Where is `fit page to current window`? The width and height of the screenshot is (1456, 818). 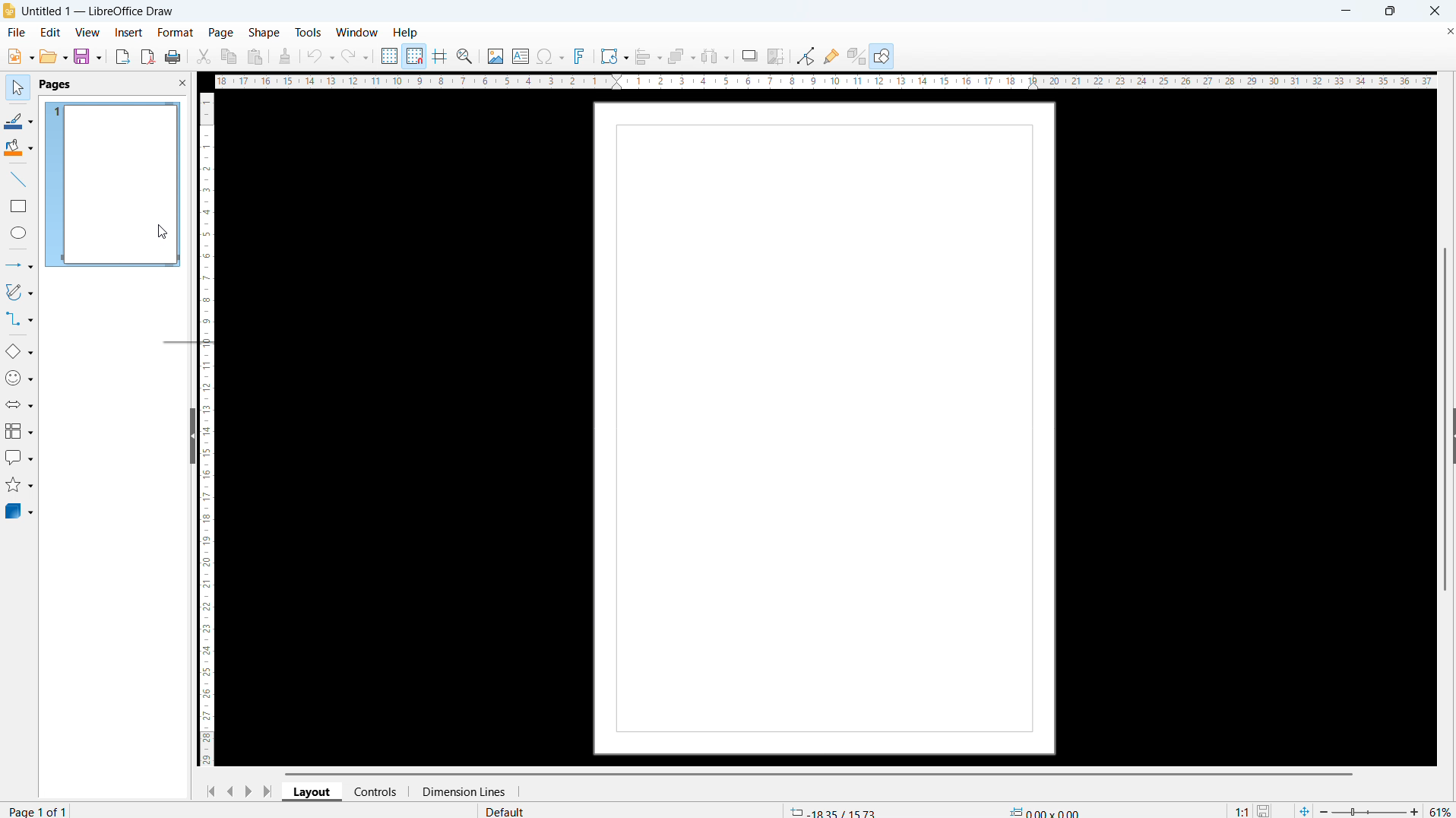 fit page to current window is located at coordinates (1304, 810).